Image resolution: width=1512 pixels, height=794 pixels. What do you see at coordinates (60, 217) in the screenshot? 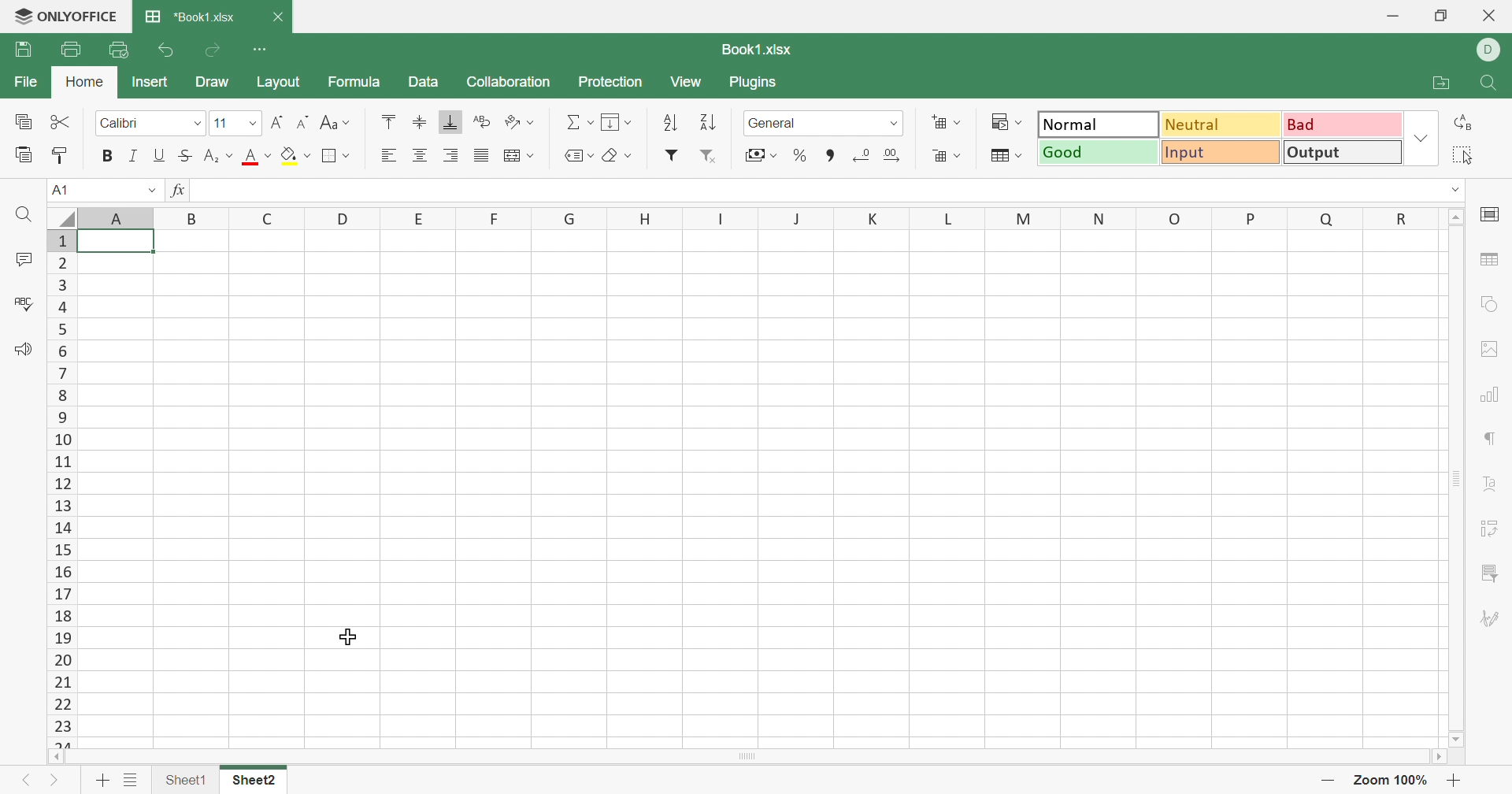
I see `Select all` at bounding box center [60, 217].